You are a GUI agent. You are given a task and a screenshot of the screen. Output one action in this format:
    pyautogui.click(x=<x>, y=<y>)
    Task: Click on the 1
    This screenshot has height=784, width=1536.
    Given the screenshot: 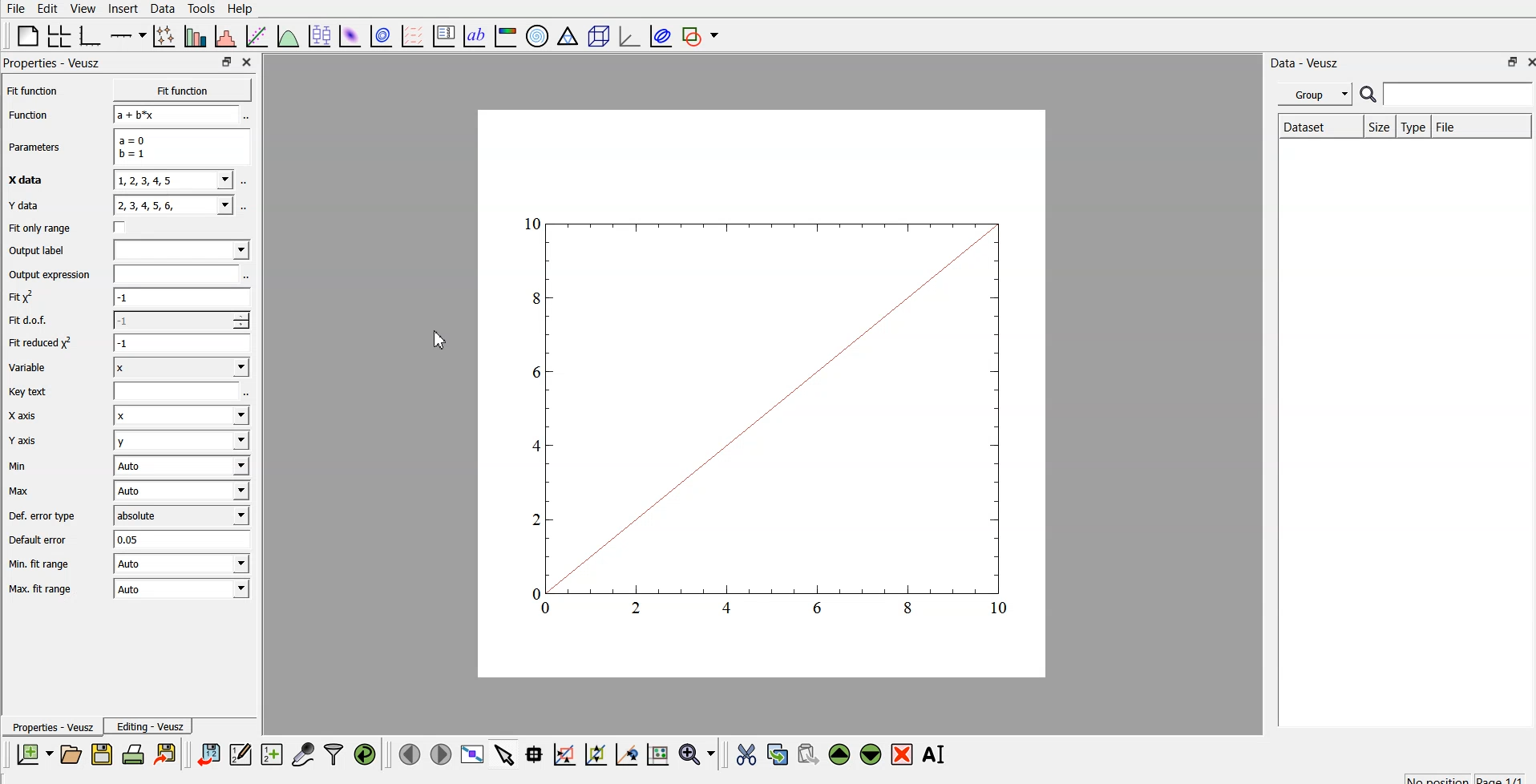 What is the action you would take?
    pyautogui.click(x=184, y=322)
    